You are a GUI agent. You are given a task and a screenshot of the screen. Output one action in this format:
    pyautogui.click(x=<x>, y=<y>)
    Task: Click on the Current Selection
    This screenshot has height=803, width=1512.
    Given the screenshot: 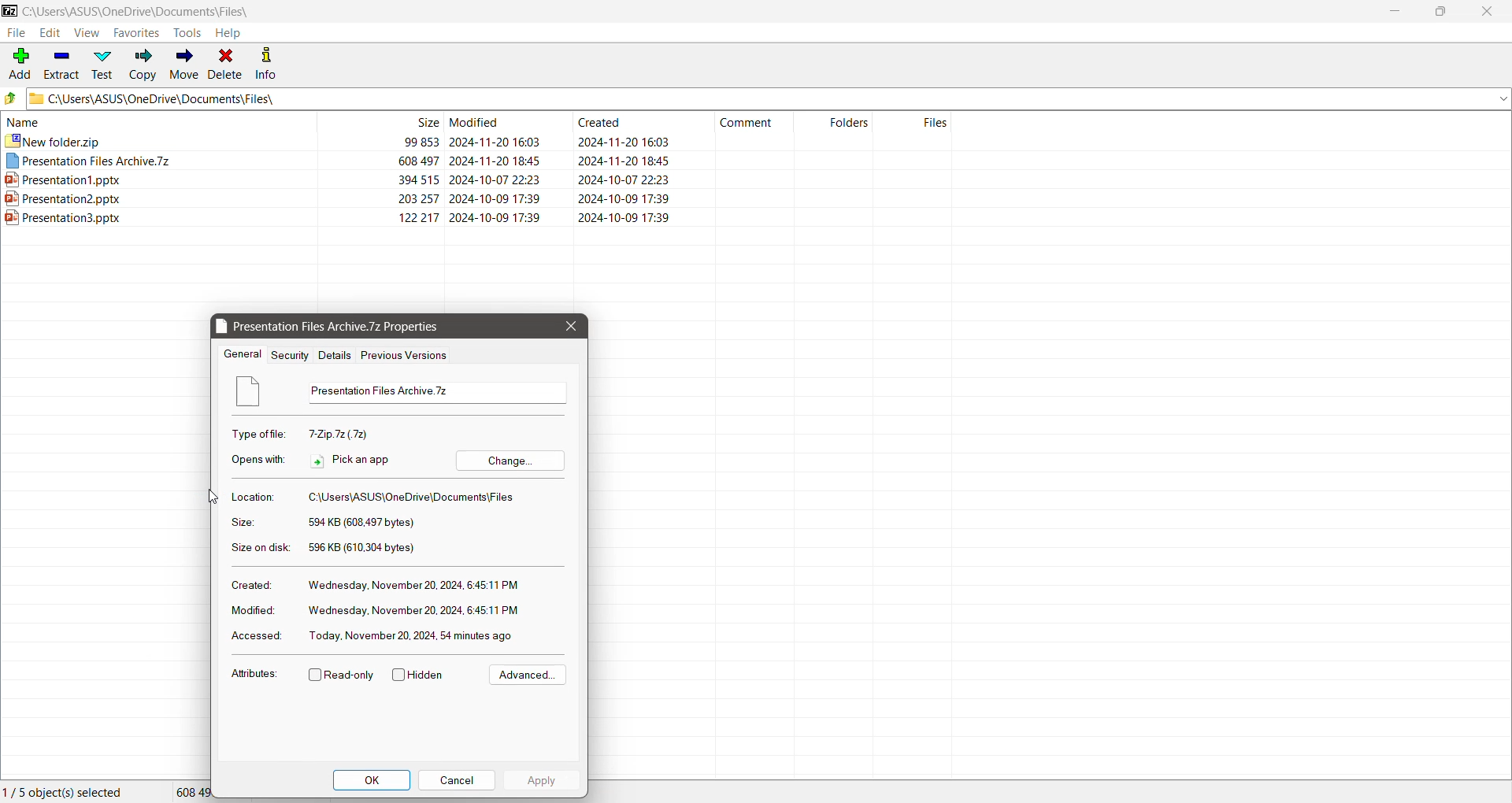 What is the action you would take?
    pyautogui.click(x=69, y=792)
    